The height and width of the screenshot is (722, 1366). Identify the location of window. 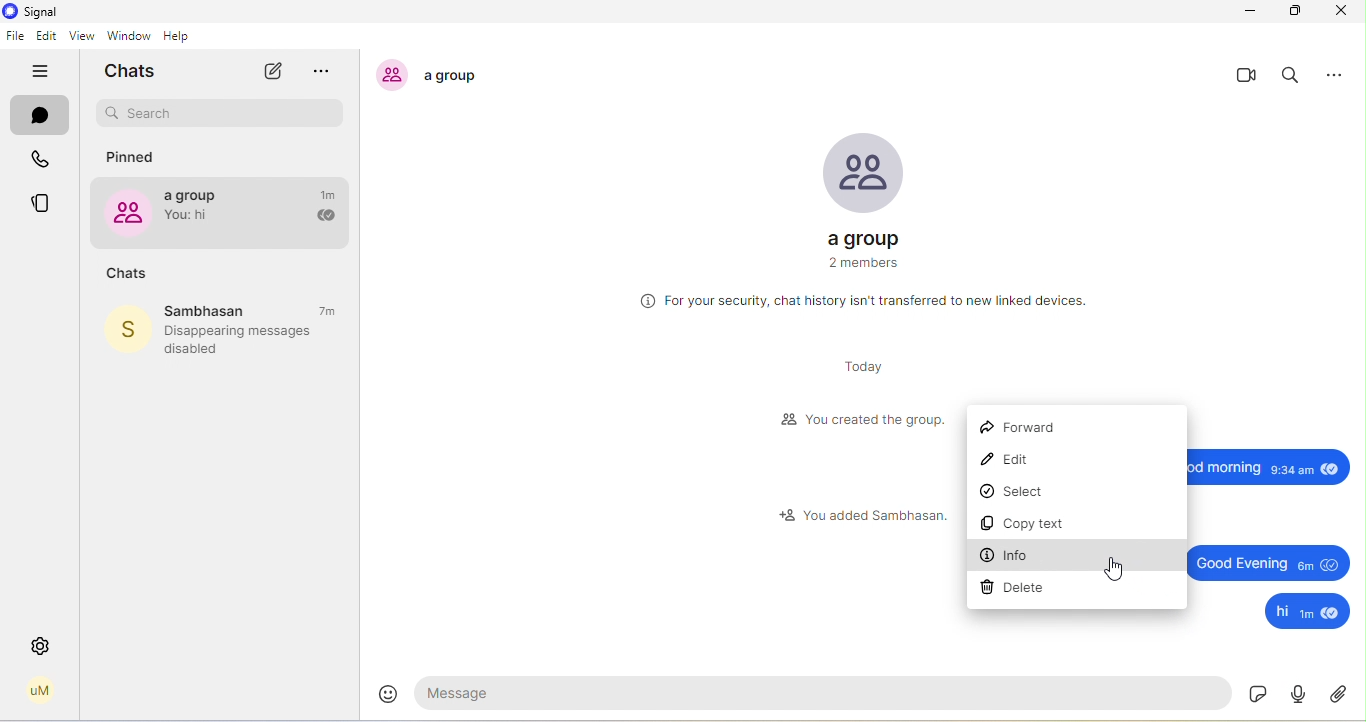
(128, 36).